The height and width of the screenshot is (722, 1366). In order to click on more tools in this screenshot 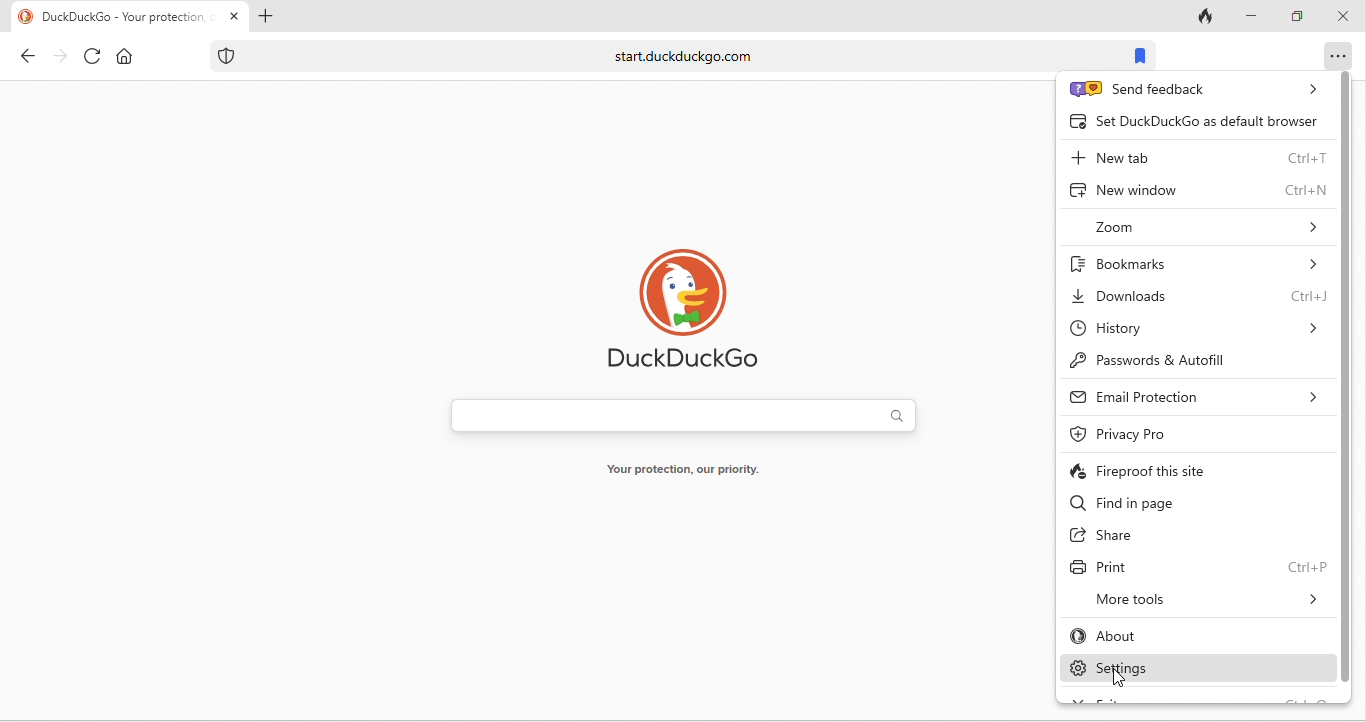, I will do `click(1204, 598)`.